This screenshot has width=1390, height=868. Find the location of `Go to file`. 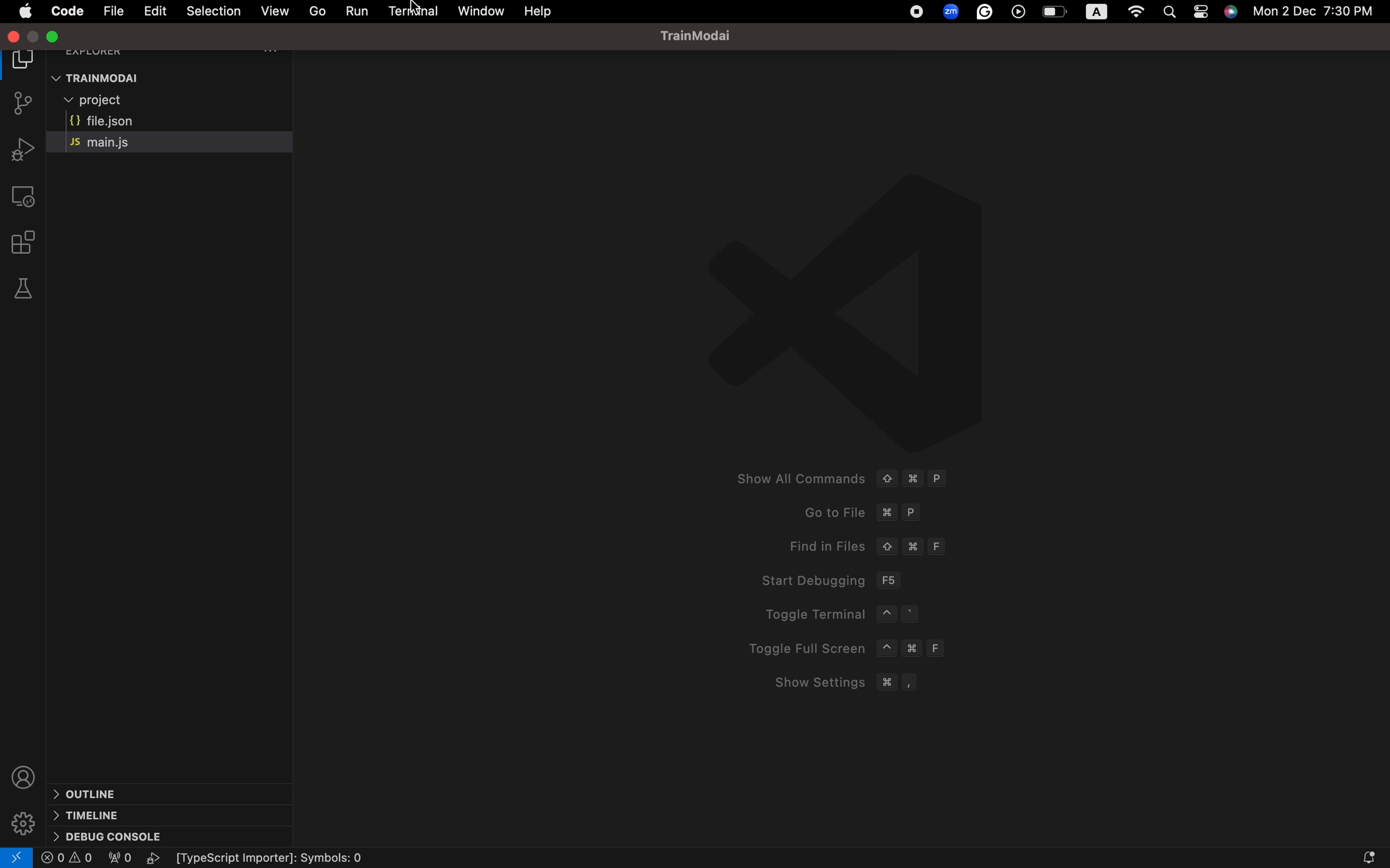

Go to file is located at coordinates (860, 512).